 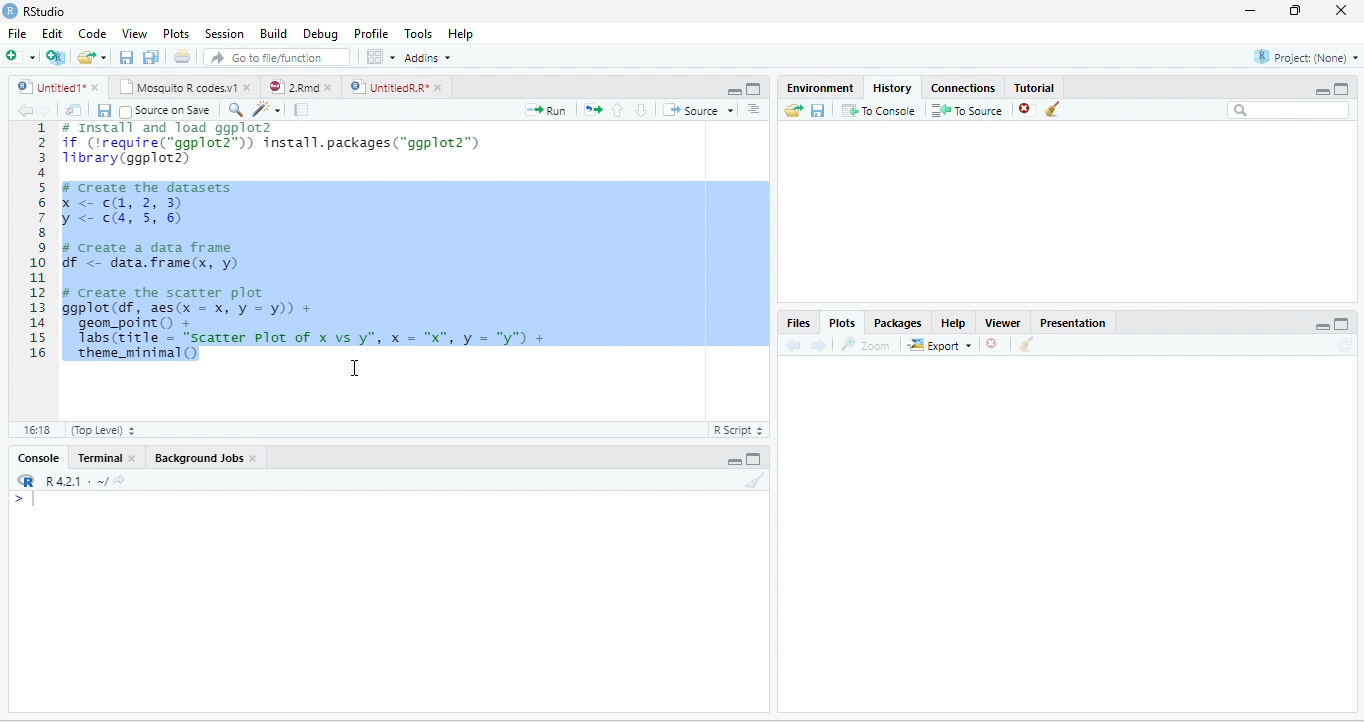 I want to click on Tutorial, so click(x=1035, y=86).